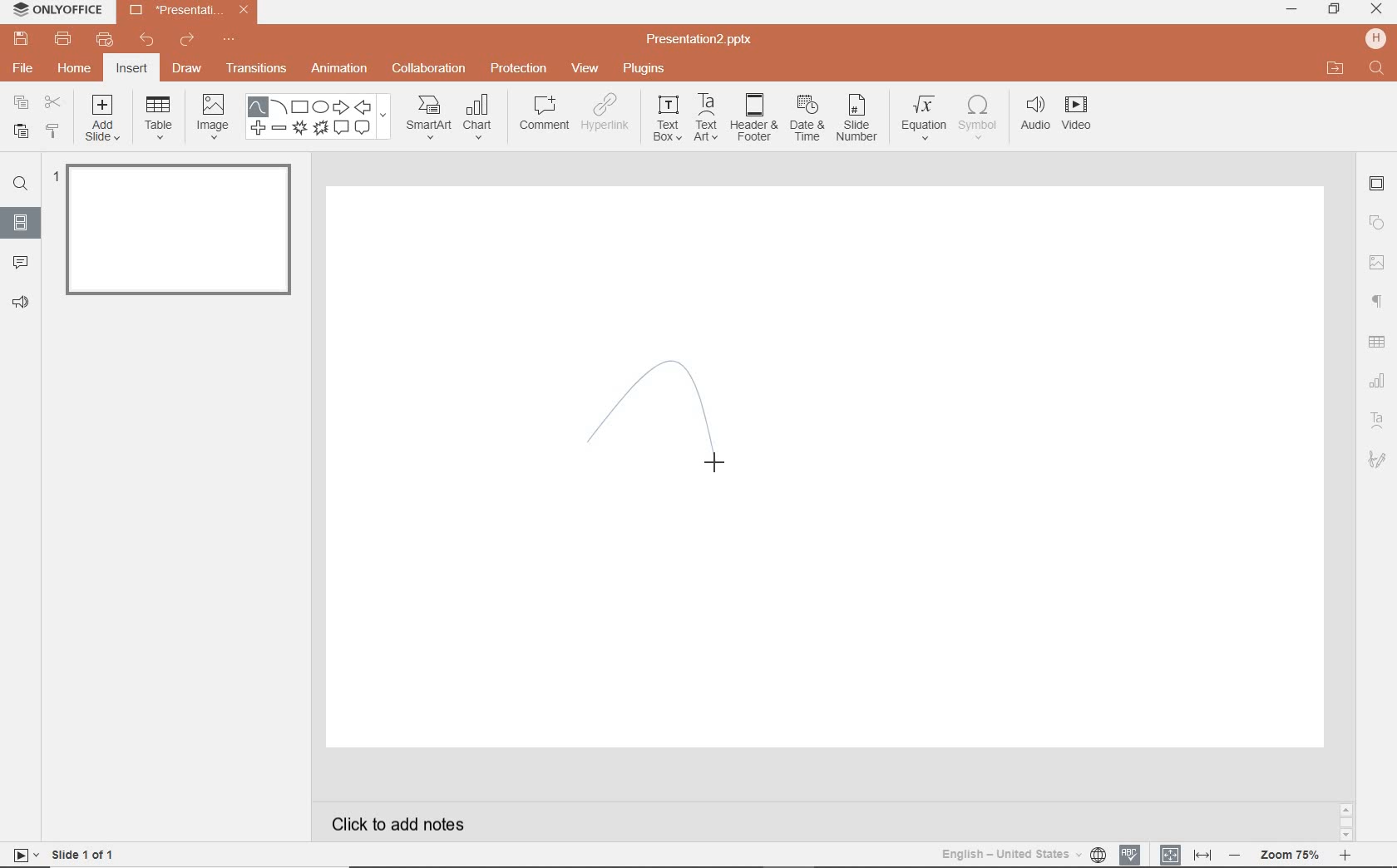  What do you see at coordinates (1291, 10) in the screenshot?
I see `MINIMIZE` at bounding box center [1291, 10].